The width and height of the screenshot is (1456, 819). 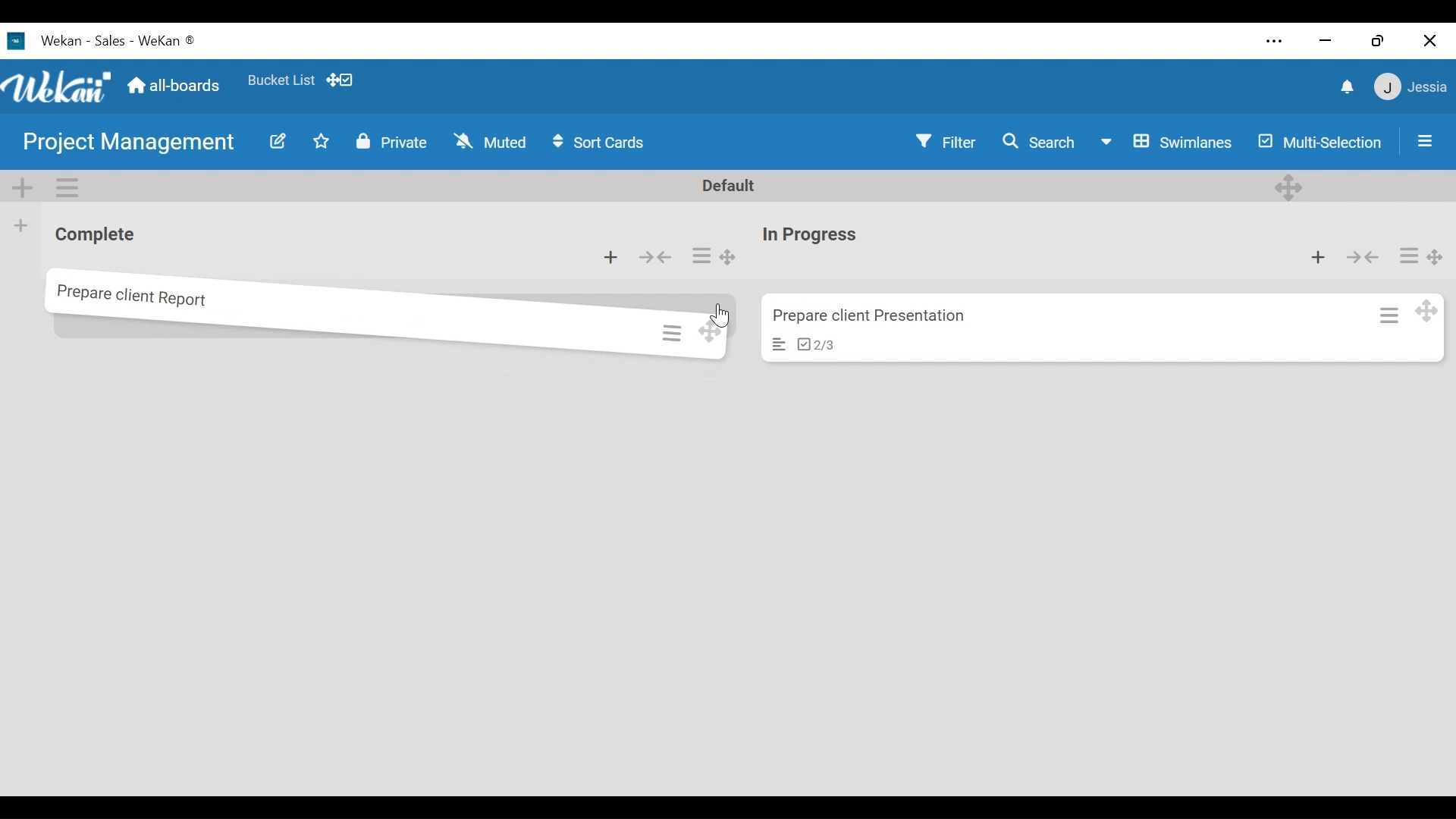 I want to click on Desktop drag handles, so click(x=1436, y=256).